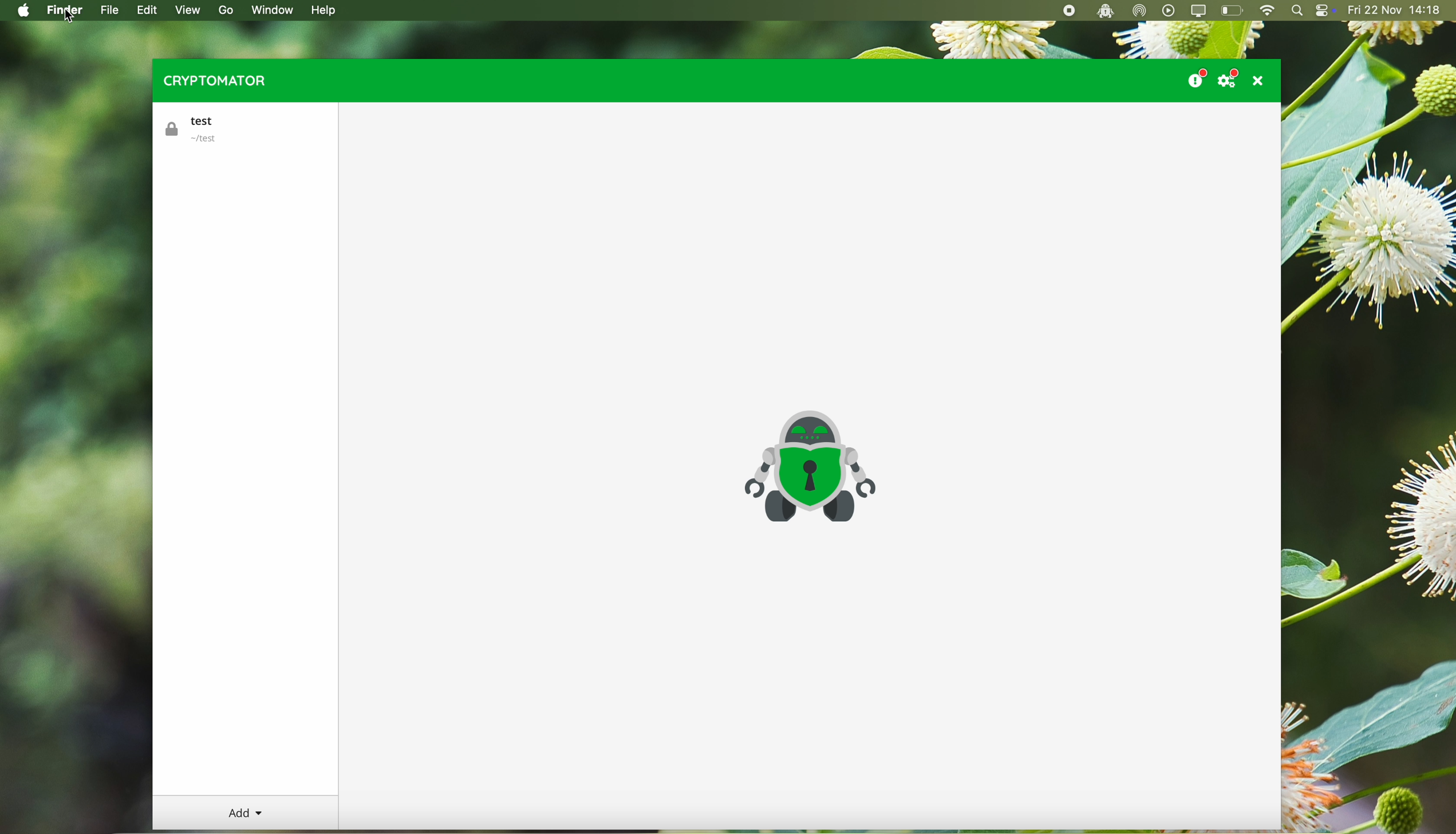  What do you see at coordinates (20, 10) in the screenshot?
I see `Apple icon` at bounding box center [20, 10].